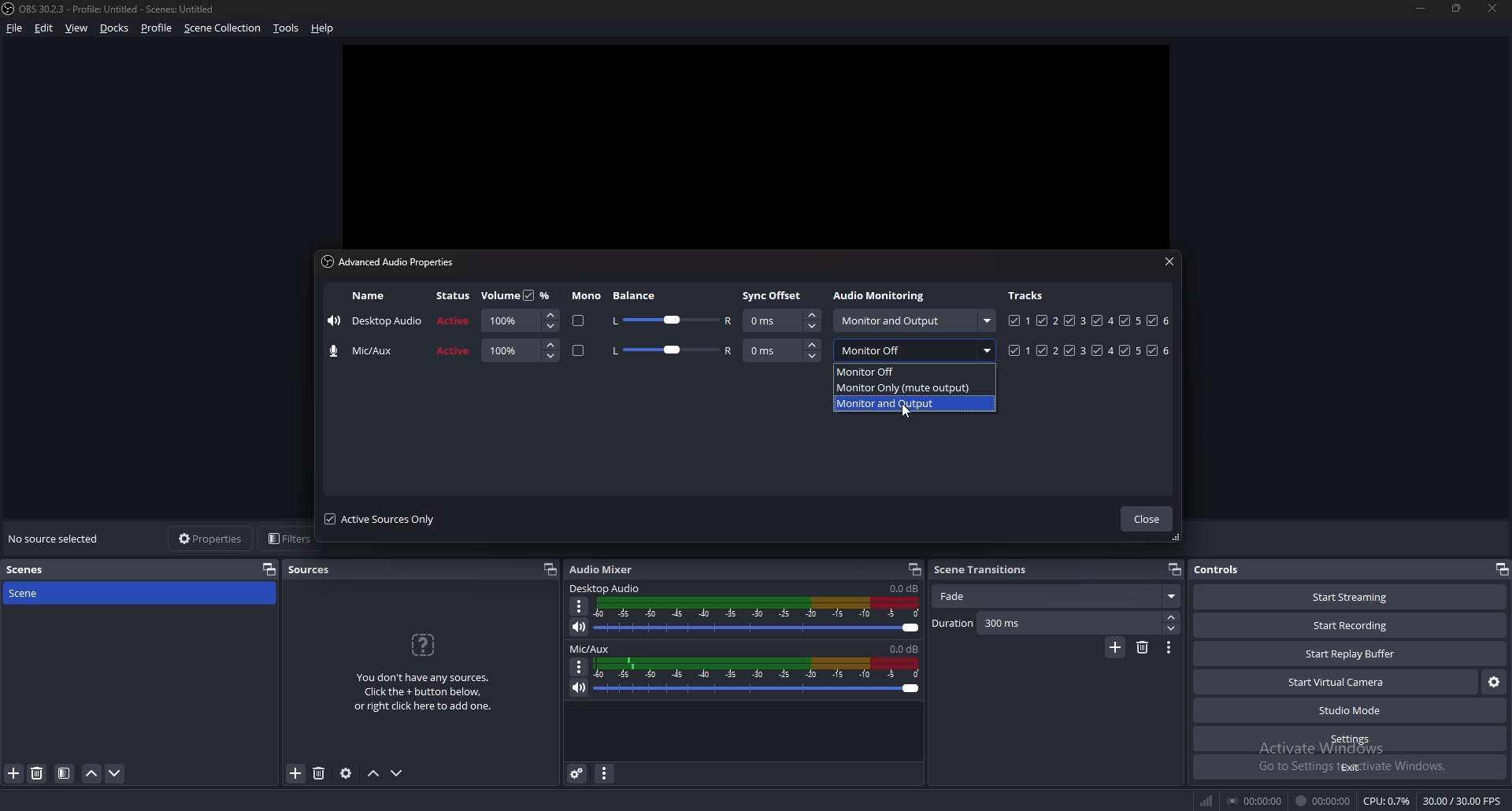 This screenshot has height=811, width=1512. I want to click on volume adjust, so click(519, 320).